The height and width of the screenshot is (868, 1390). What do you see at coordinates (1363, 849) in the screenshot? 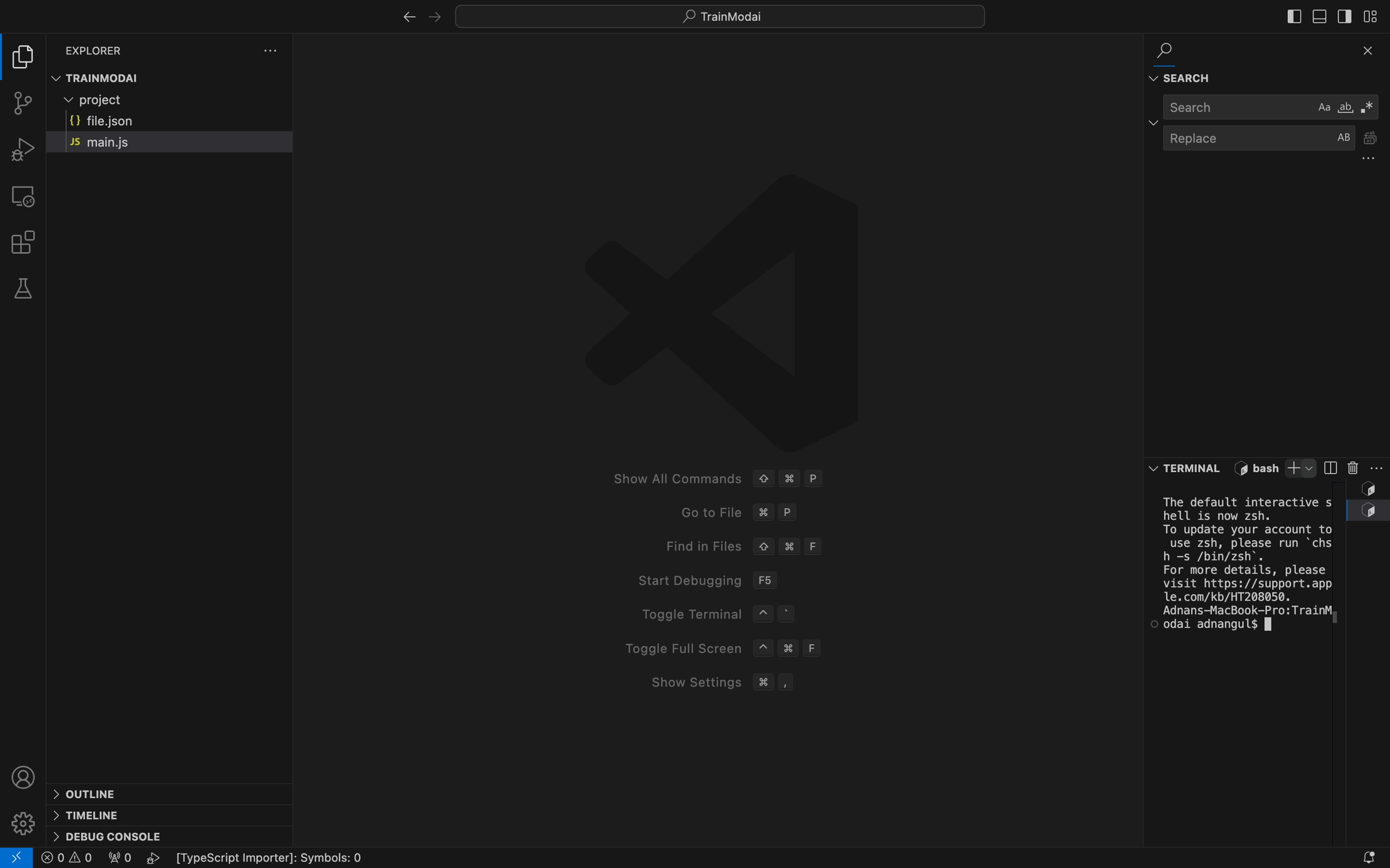
I see `notification` at bounding box center [1363, 849].